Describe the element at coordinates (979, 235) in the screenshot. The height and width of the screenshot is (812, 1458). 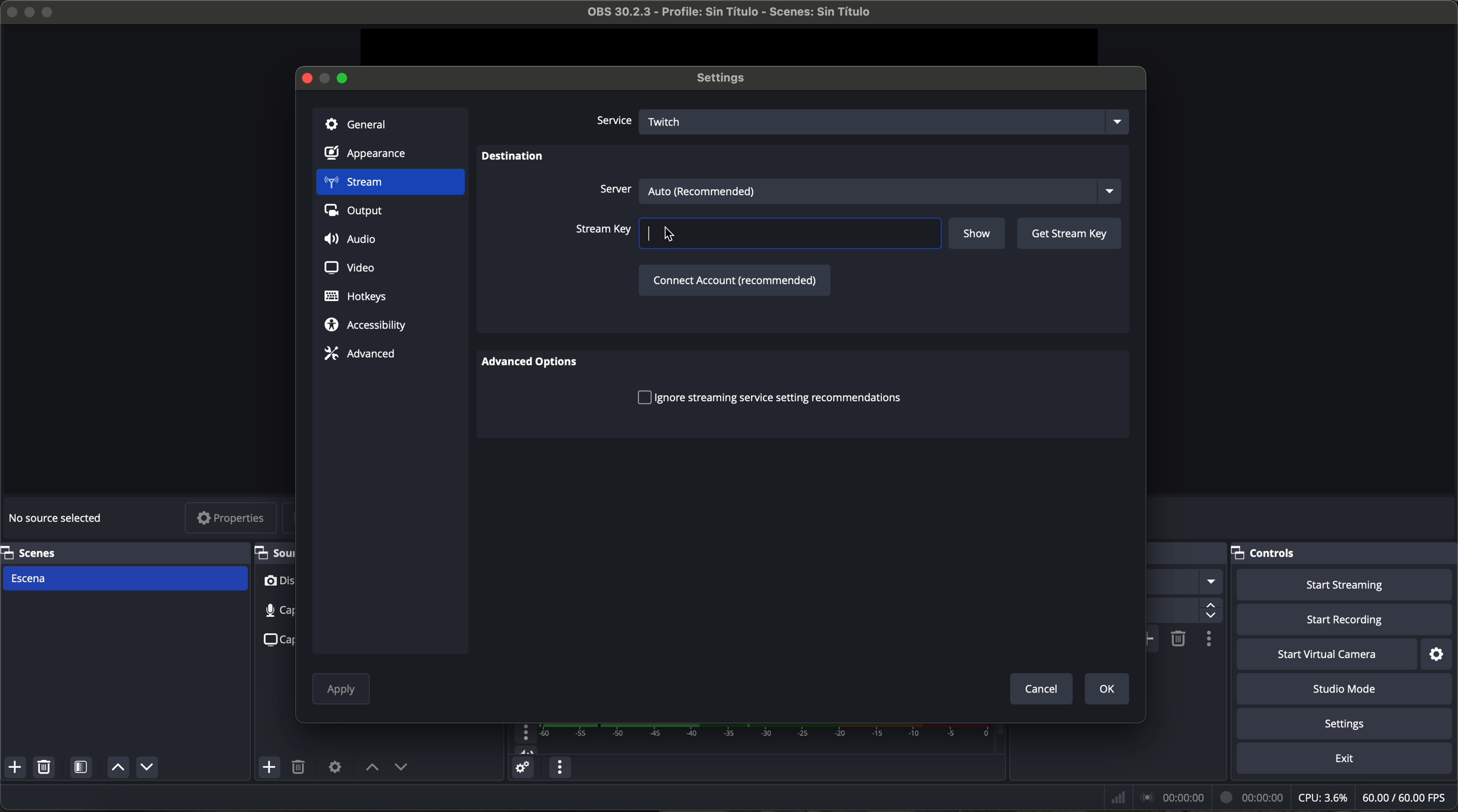
I see `show button` at that location.